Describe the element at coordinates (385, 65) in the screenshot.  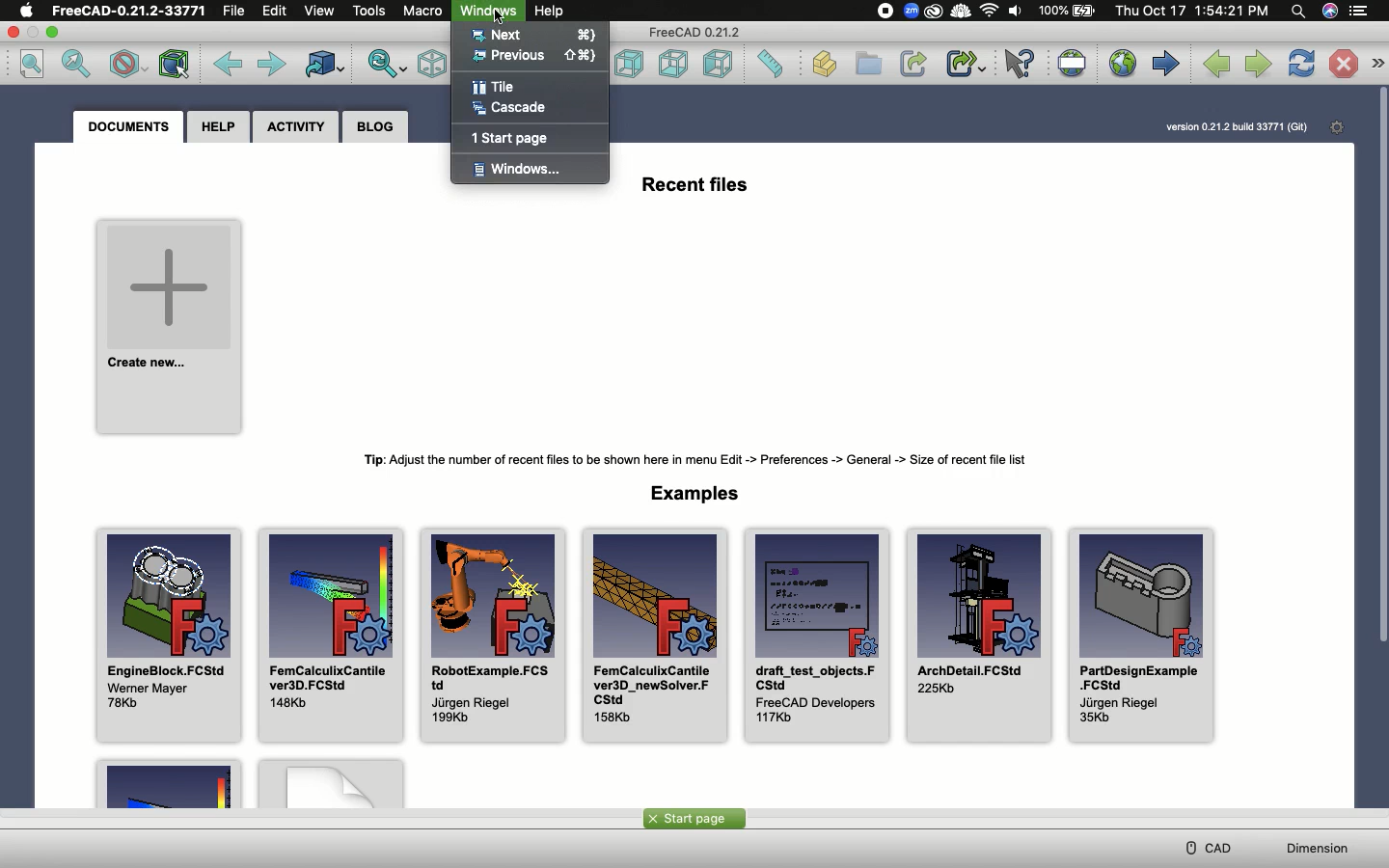
I see `Sync view` at that location.